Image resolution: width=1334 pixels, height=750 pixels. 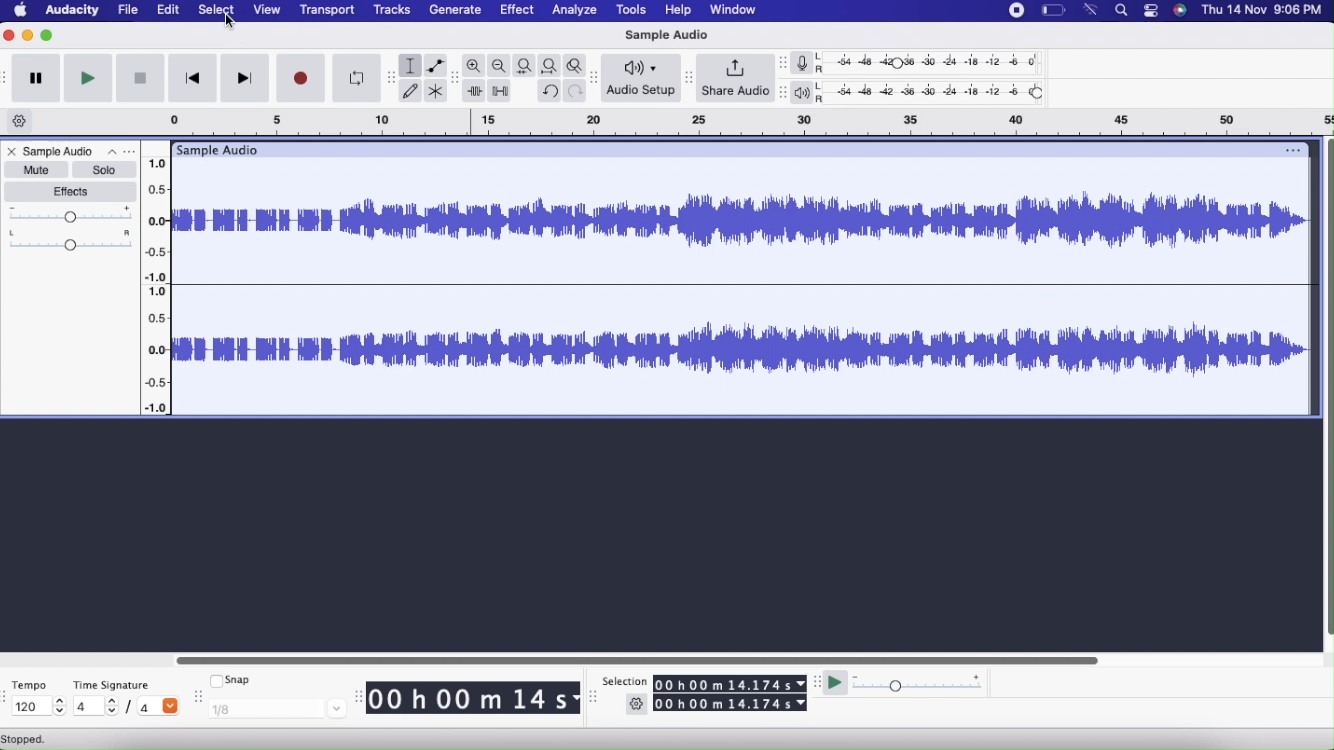 What do you see at coordinates (37, 79) in the screenshot?
I see `Pause` at bounding box center [37, 79].